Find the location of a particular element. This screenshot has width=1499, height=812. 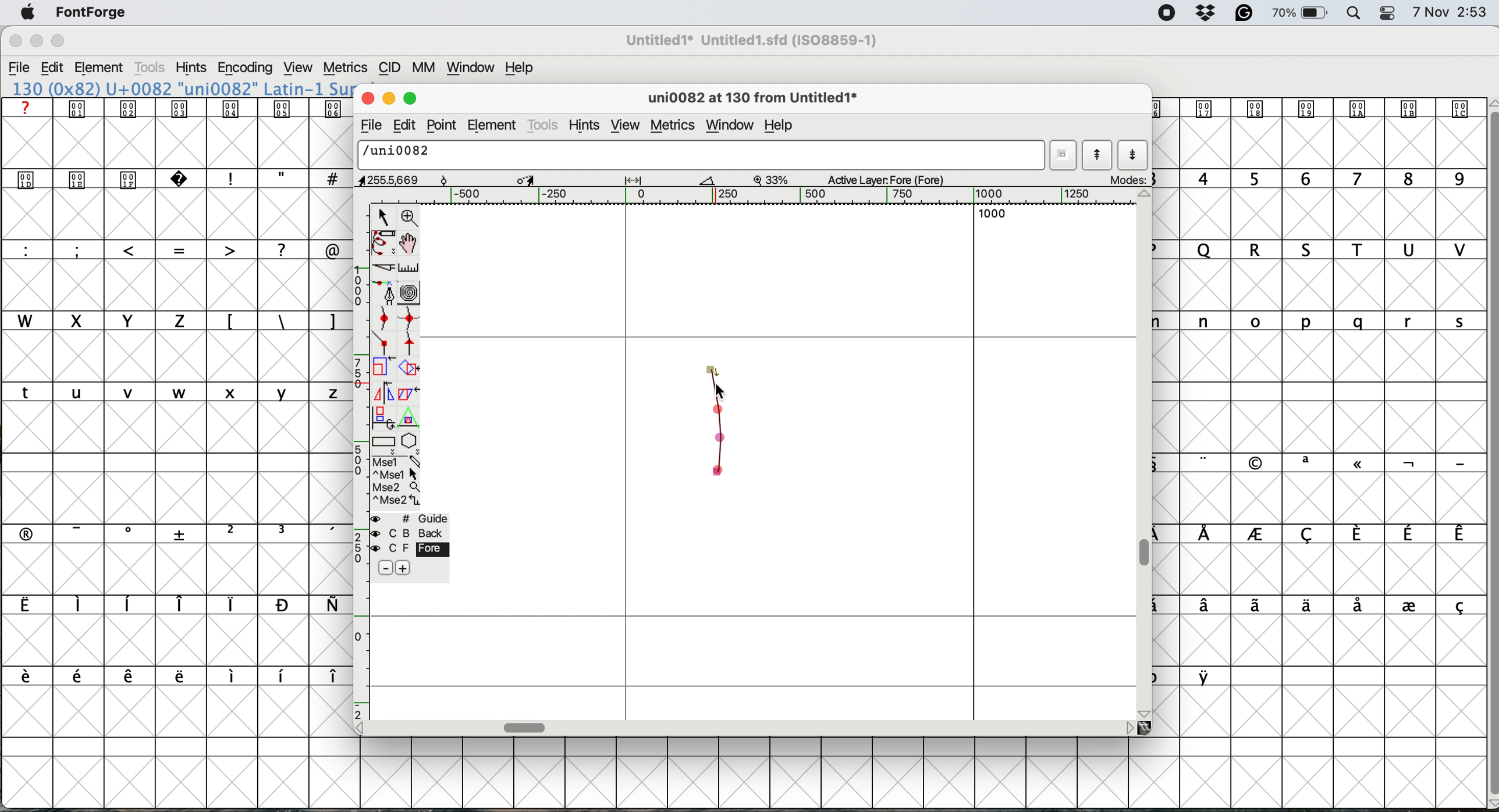

special characters is located at coordinates (279, 178).